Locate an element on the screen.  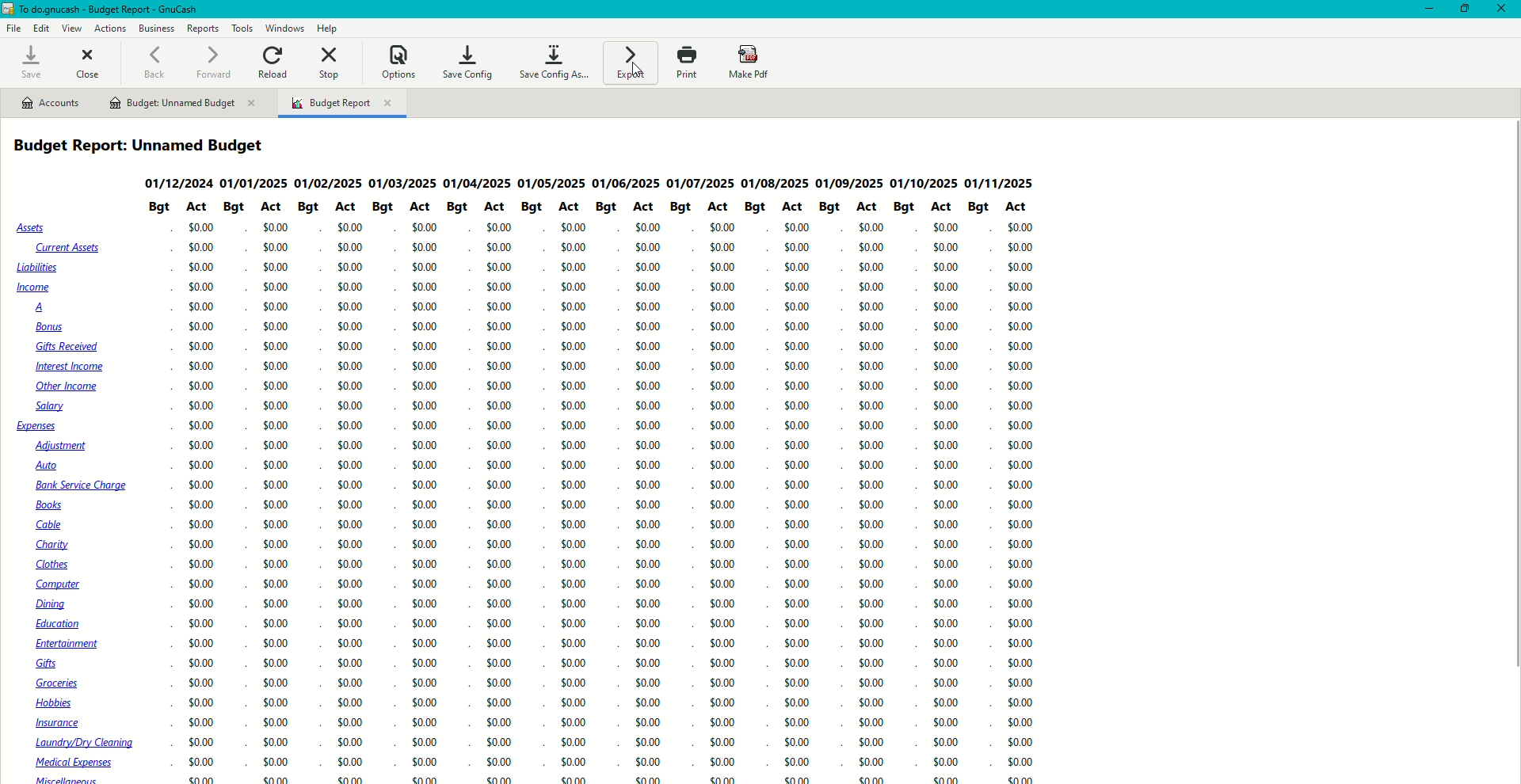
Stop is located at coordinates (332, 64).